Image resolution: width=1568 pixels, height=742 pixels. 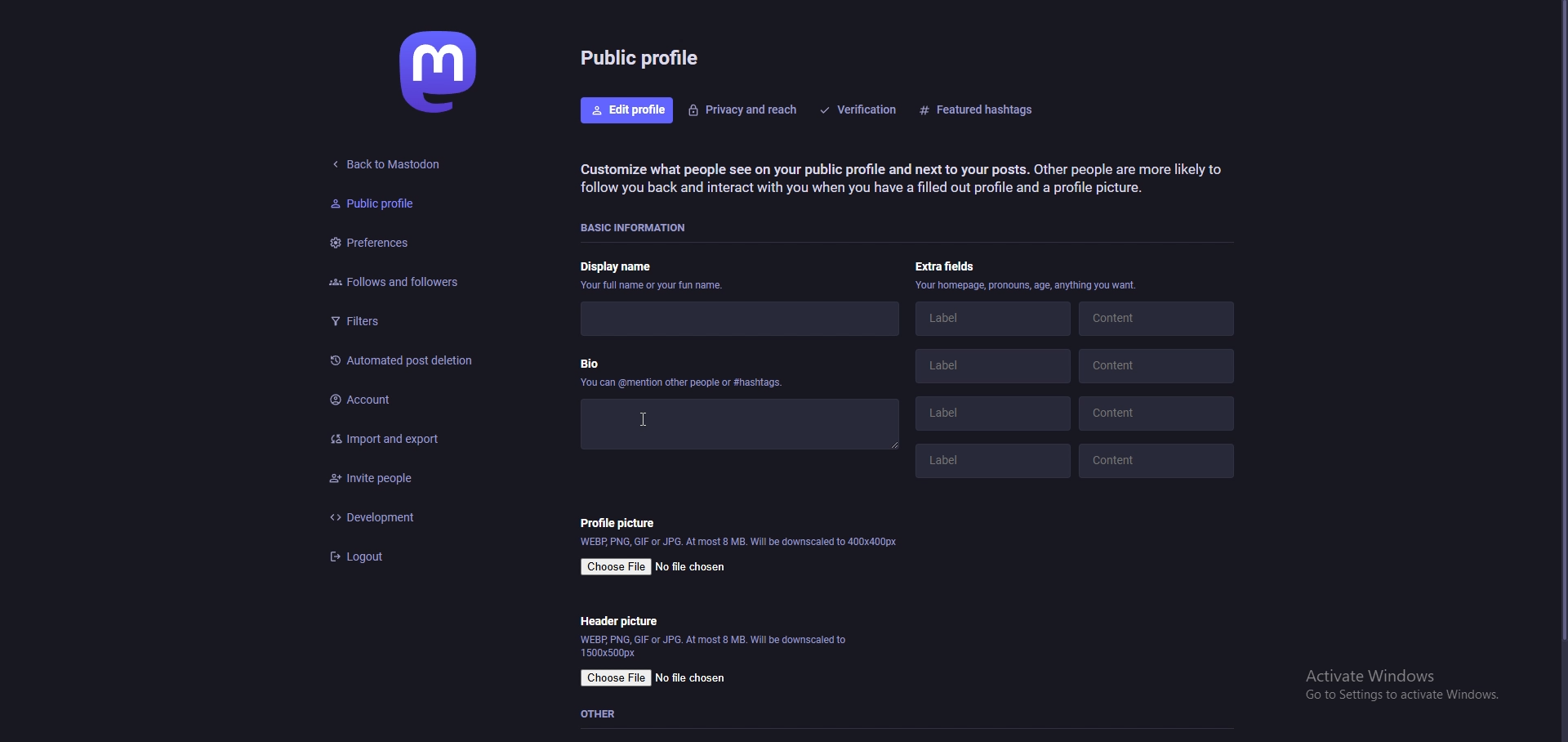 I want to click on windows activation prompt, so click(x=1399, y=684).